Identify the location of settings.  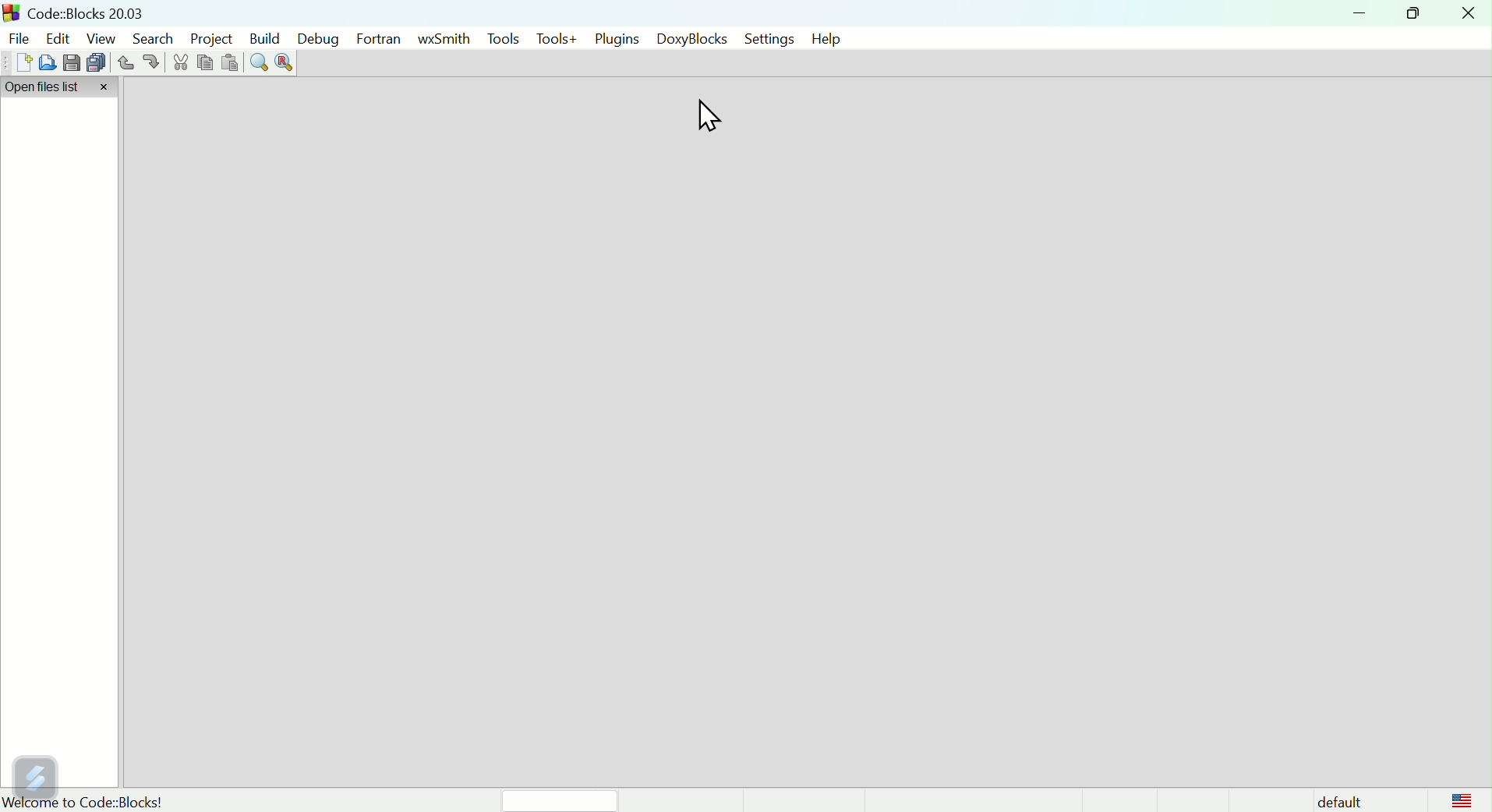
(769, 40).